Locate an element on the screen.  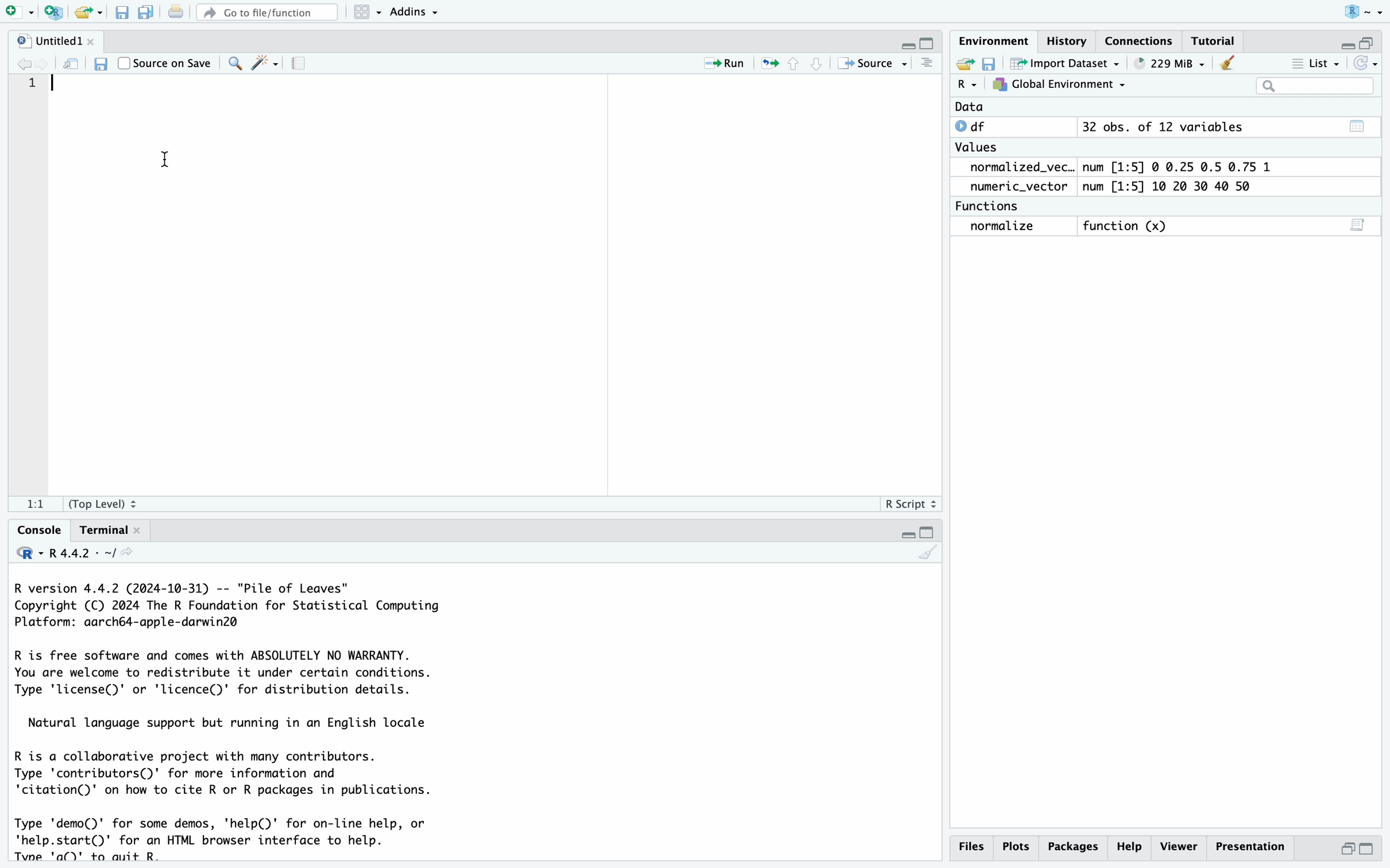
save all is located at coordinates (147, 14).